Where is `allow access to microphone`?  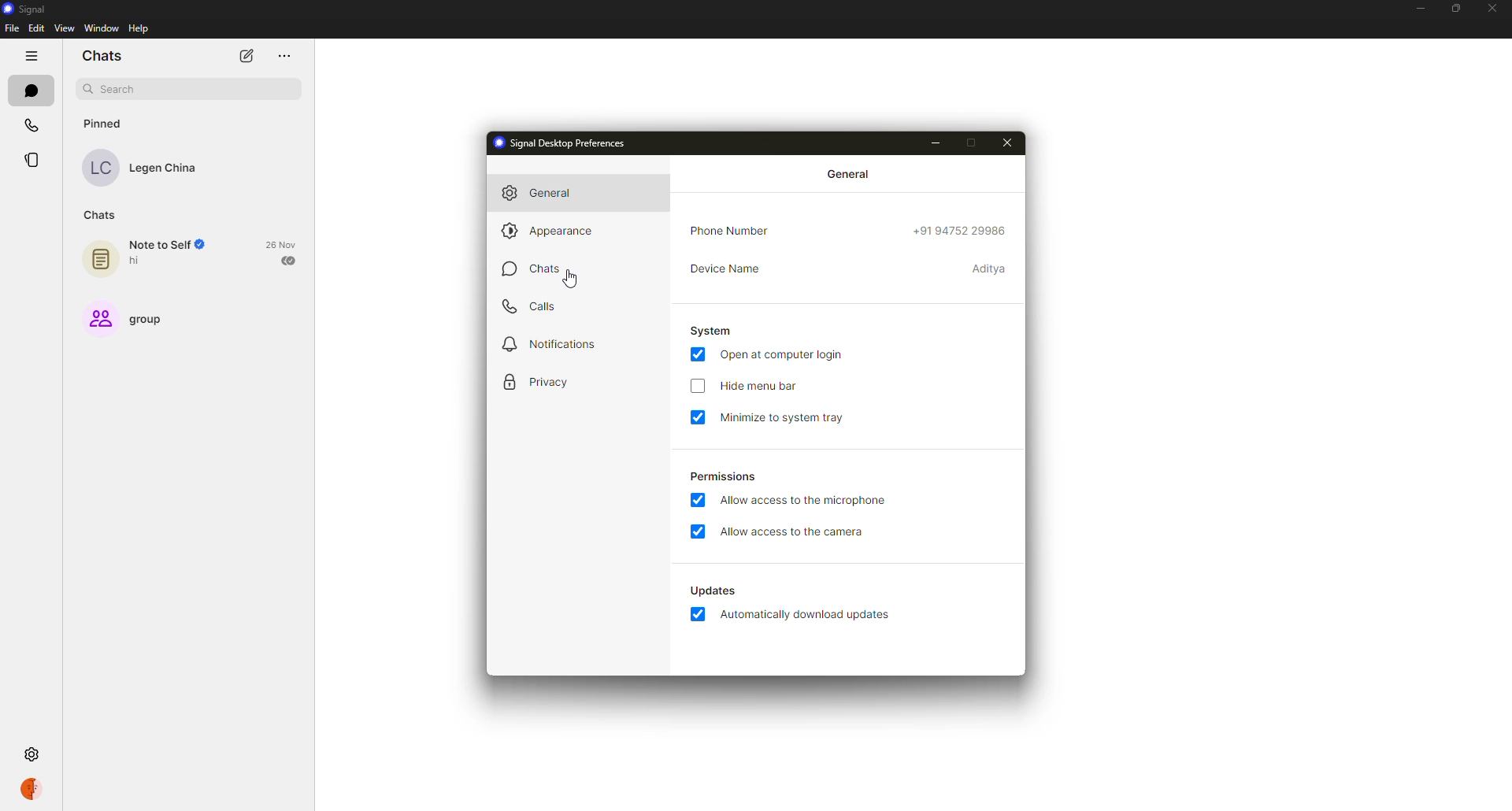 allow access to microphone is located at coordinates (805, 502).